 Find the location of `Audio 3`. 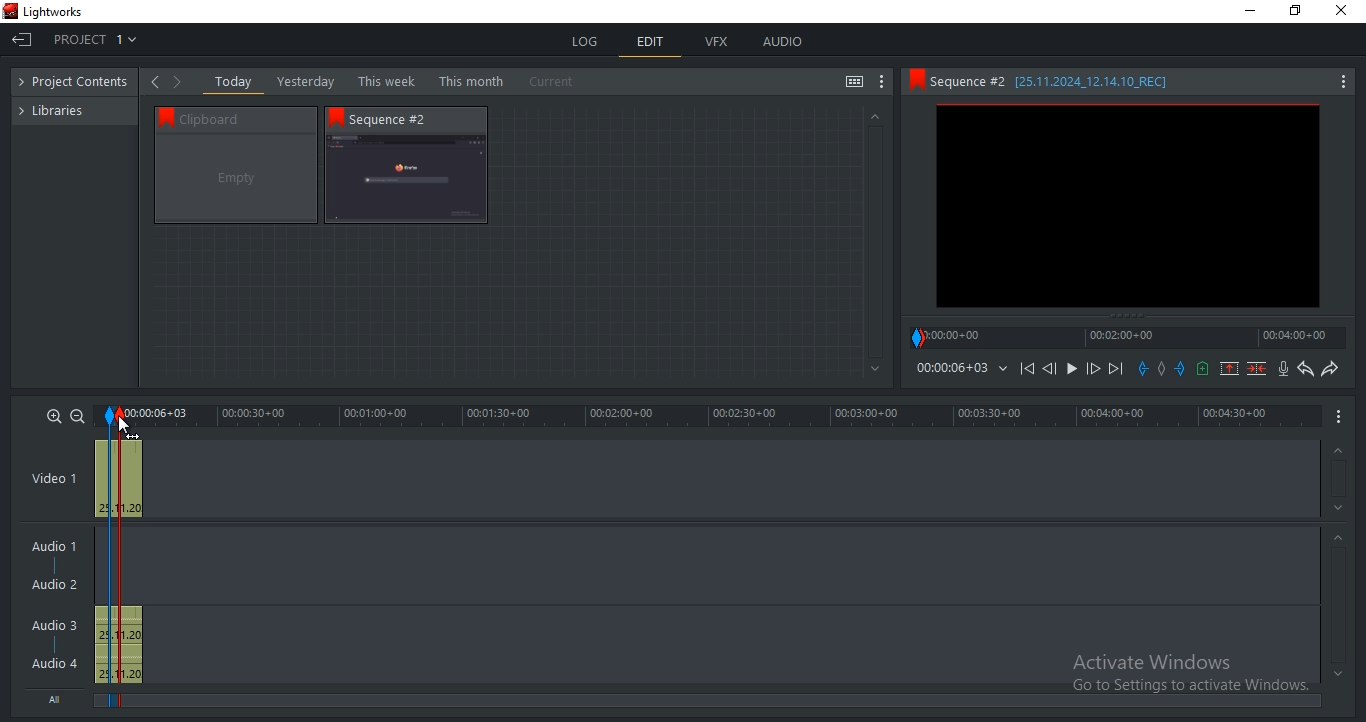

Audio 3 is located at coordinates (61, 625).